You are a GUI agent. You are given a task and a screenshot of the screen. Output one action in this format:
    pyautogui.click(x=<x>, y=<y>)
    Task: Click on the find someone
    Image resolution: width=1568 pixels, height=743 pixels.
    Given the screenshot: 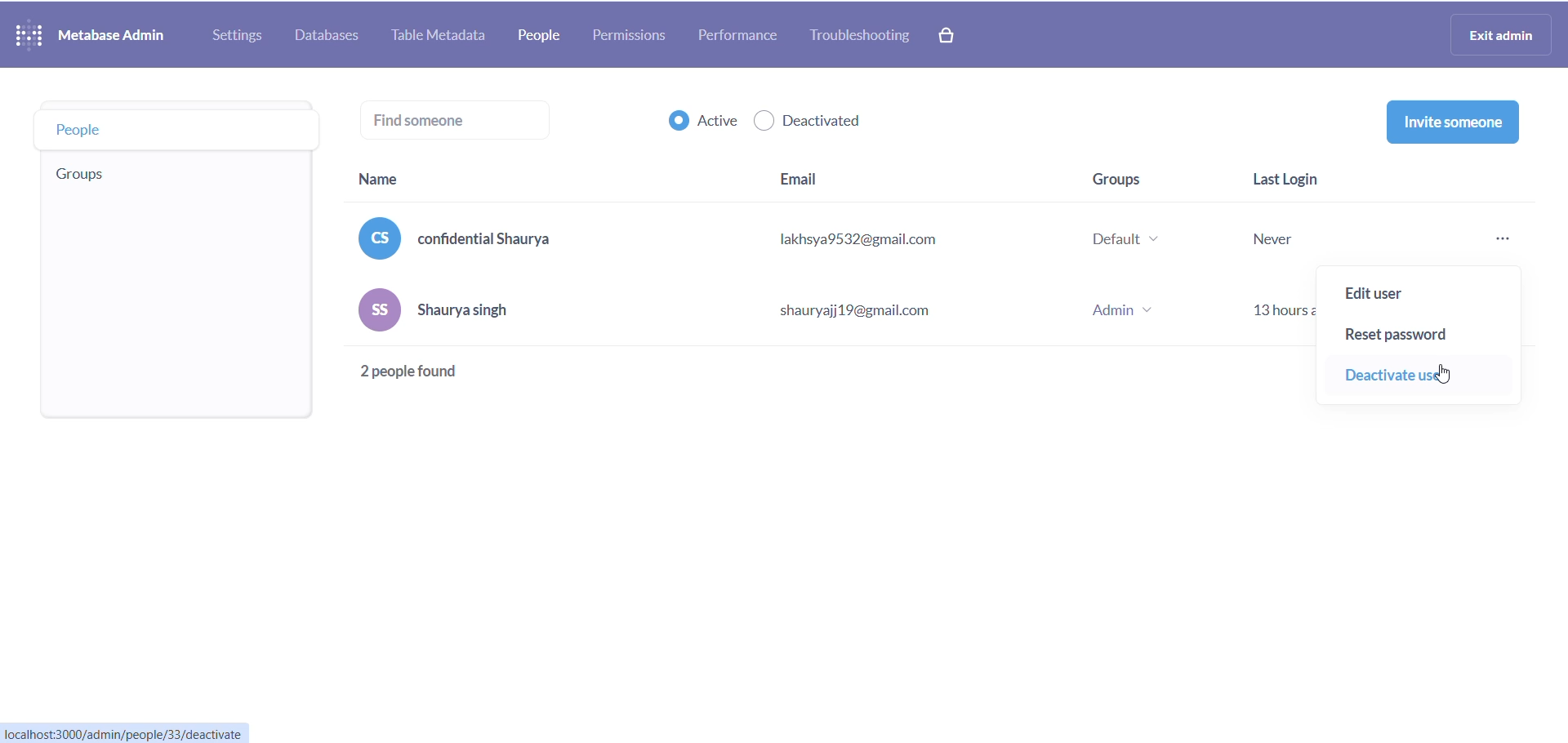 What is the action you would take?
    pyautogui.click(x=427, y=122)
    